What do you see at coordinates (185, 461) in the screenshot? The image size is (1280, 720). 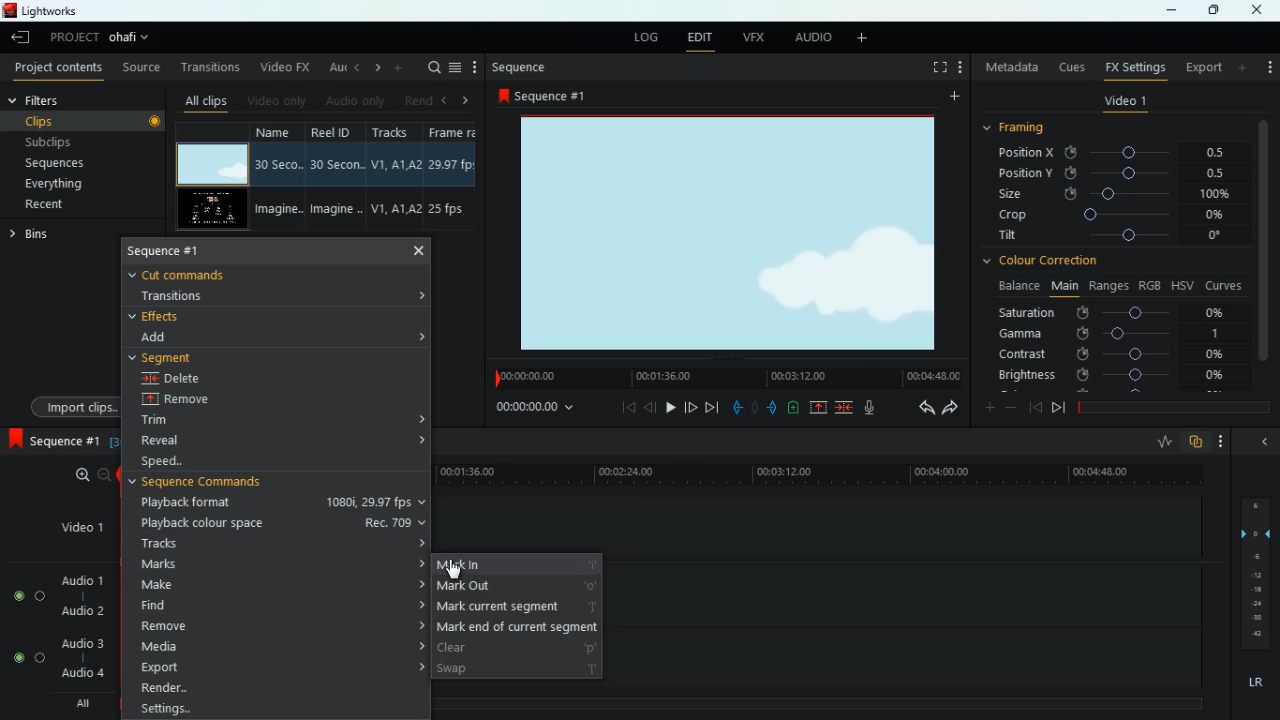 I see `speed` at bounding box center [185, 461].